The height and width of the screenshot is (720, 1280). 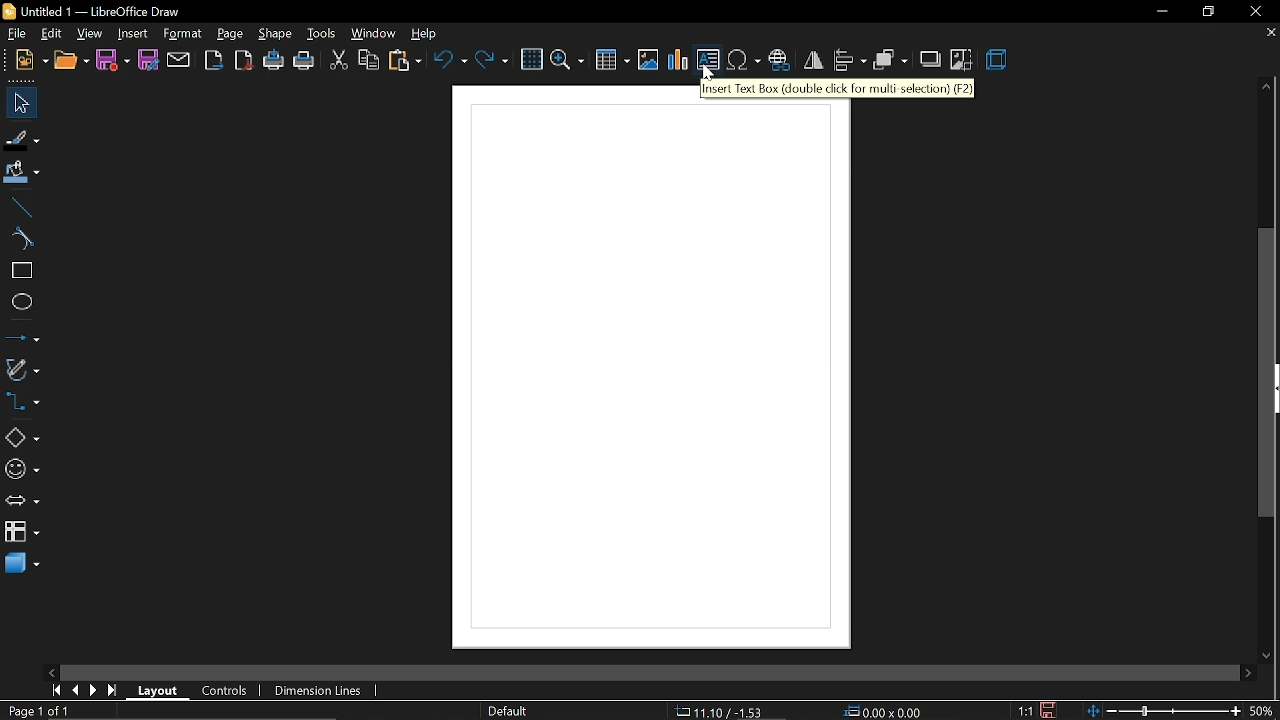 I want to click on tools, so click(x=322, y=35).